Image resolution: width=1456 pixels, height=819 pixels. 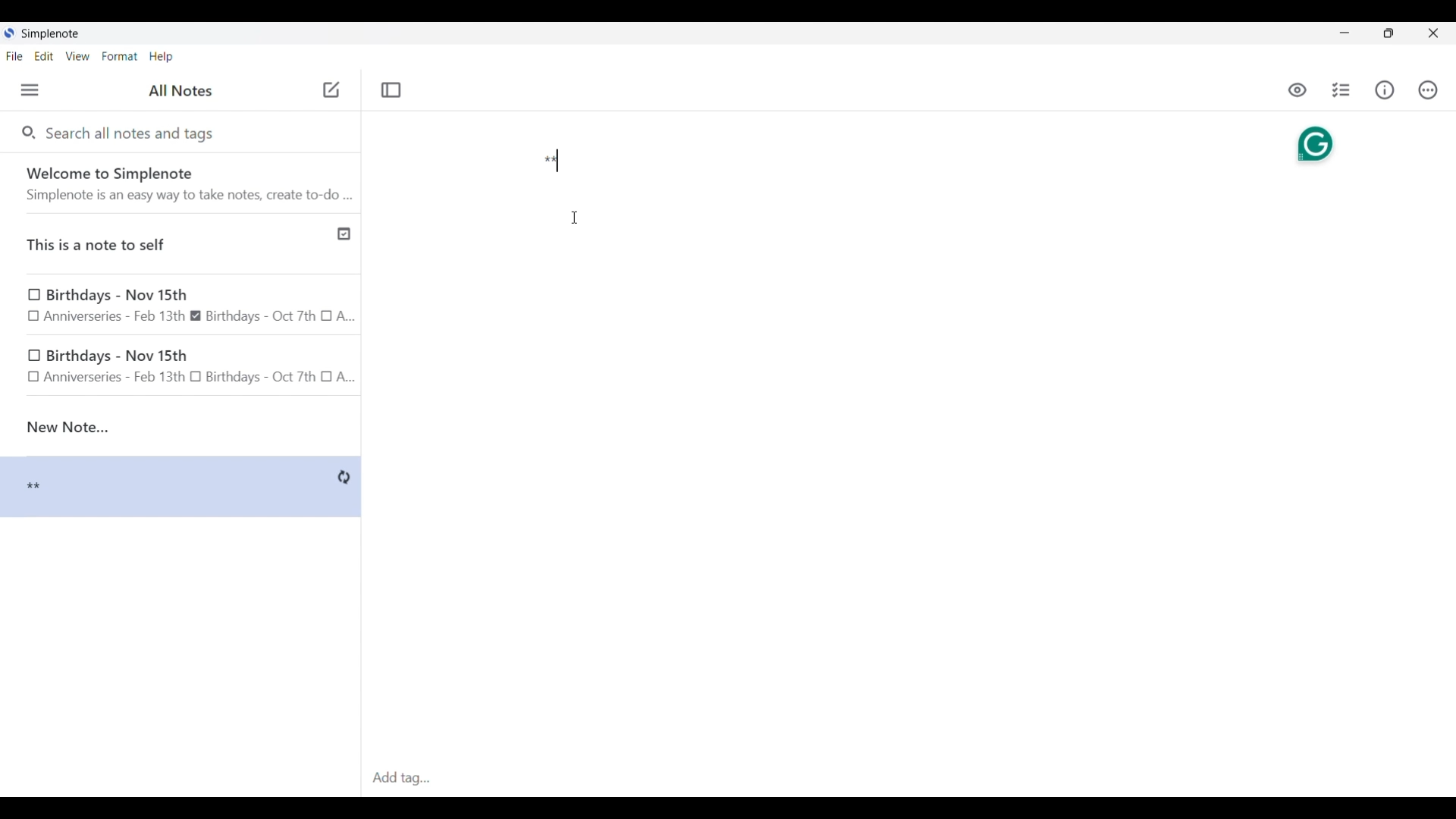 I want to click on Edit menu, so click(x=45, y=55).